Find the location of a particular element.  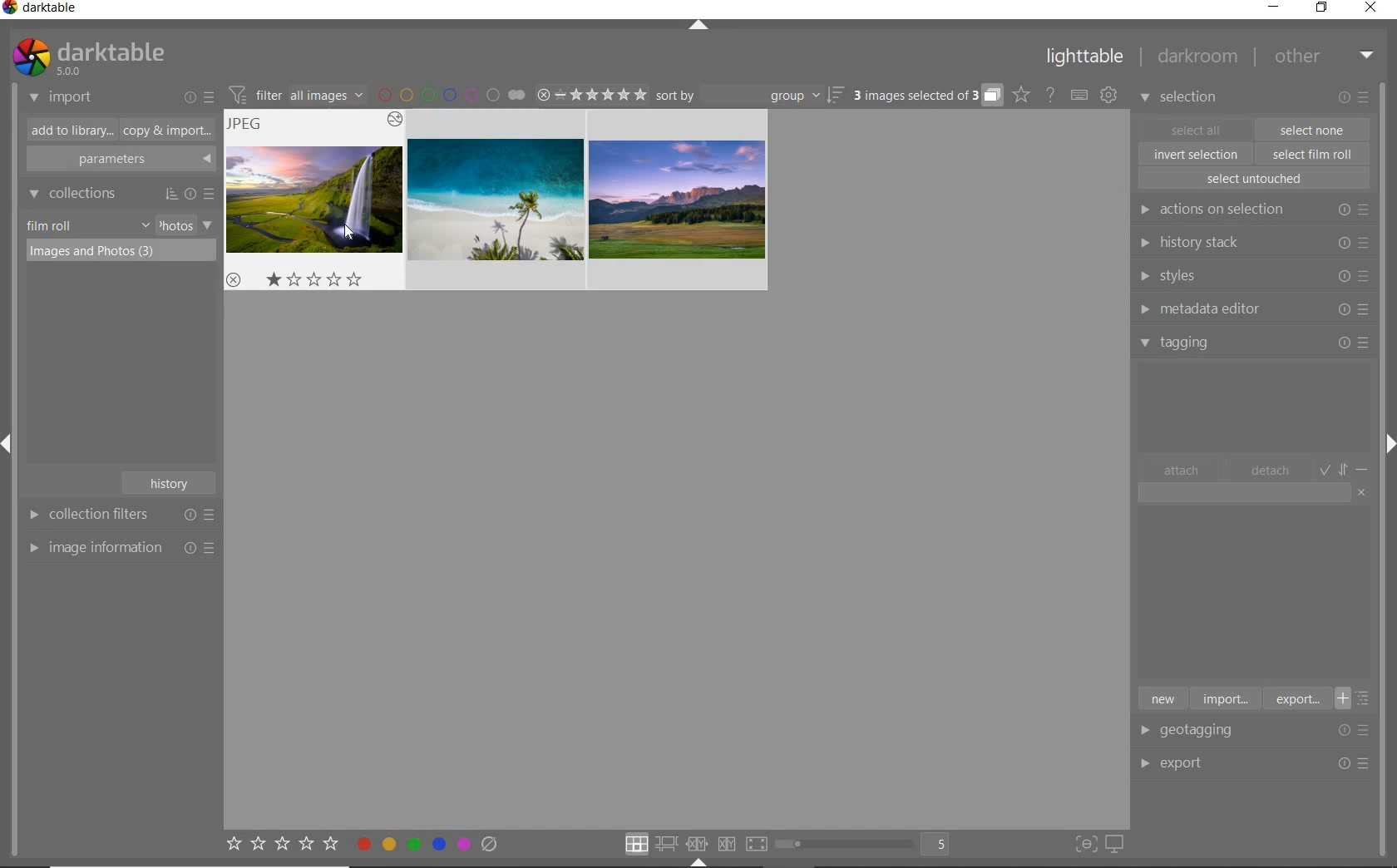

import is located at coordinates (1224, 698).